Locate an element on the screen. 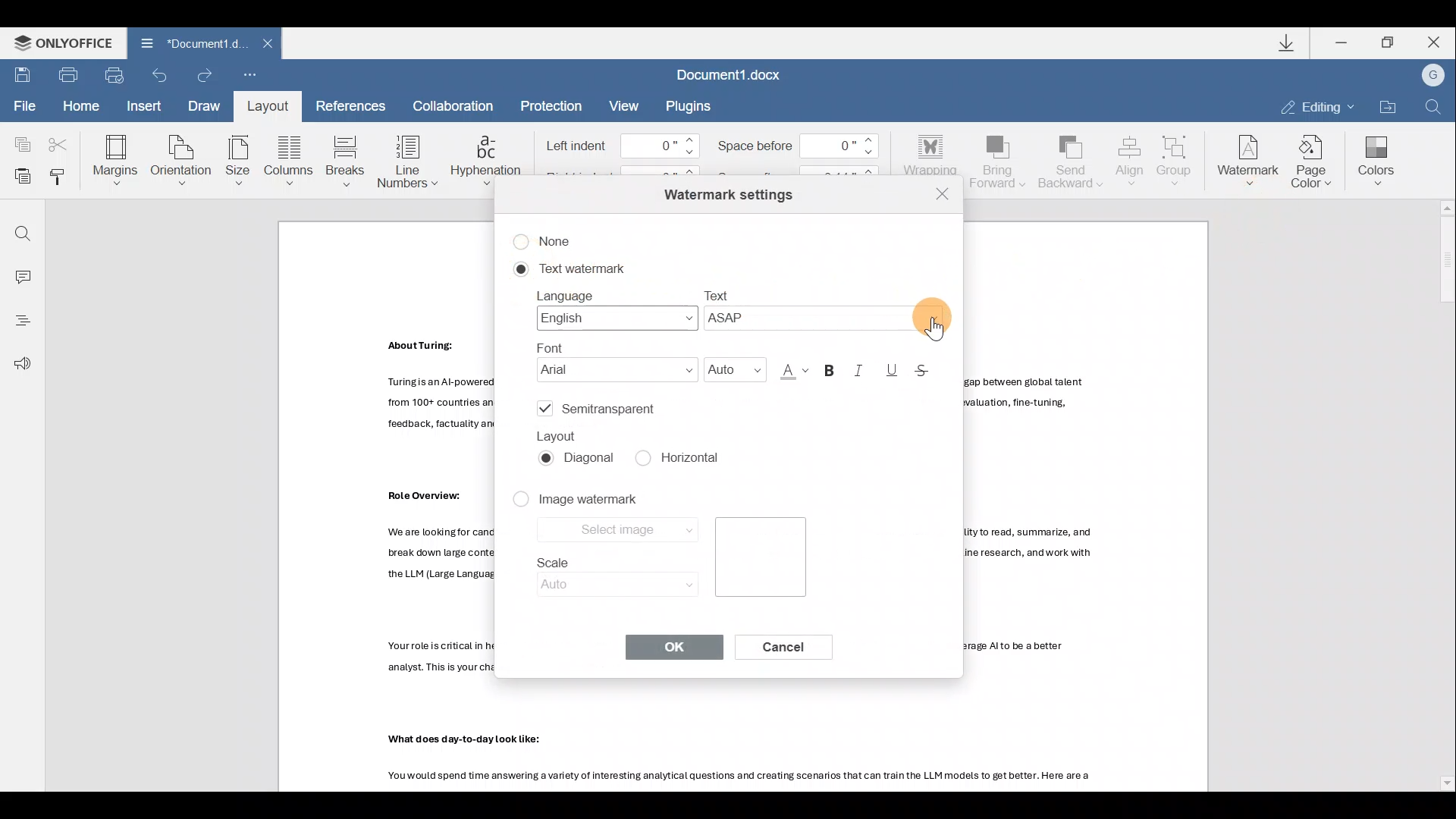 The height and width of the screenshot is (819, 1456). References is located at coordinates (349, 105).